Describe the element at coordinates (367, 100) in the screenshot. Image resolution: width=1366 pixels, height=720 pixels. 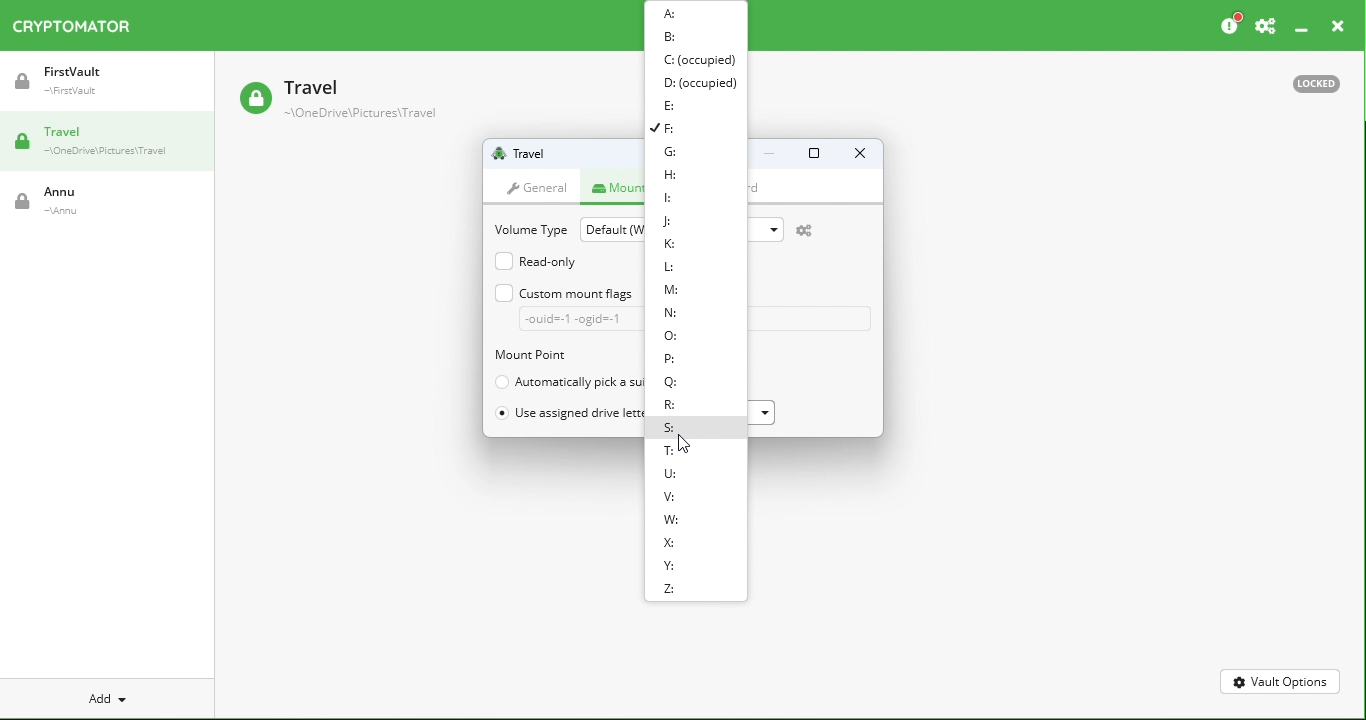
I see `Travel Vault` at that location.